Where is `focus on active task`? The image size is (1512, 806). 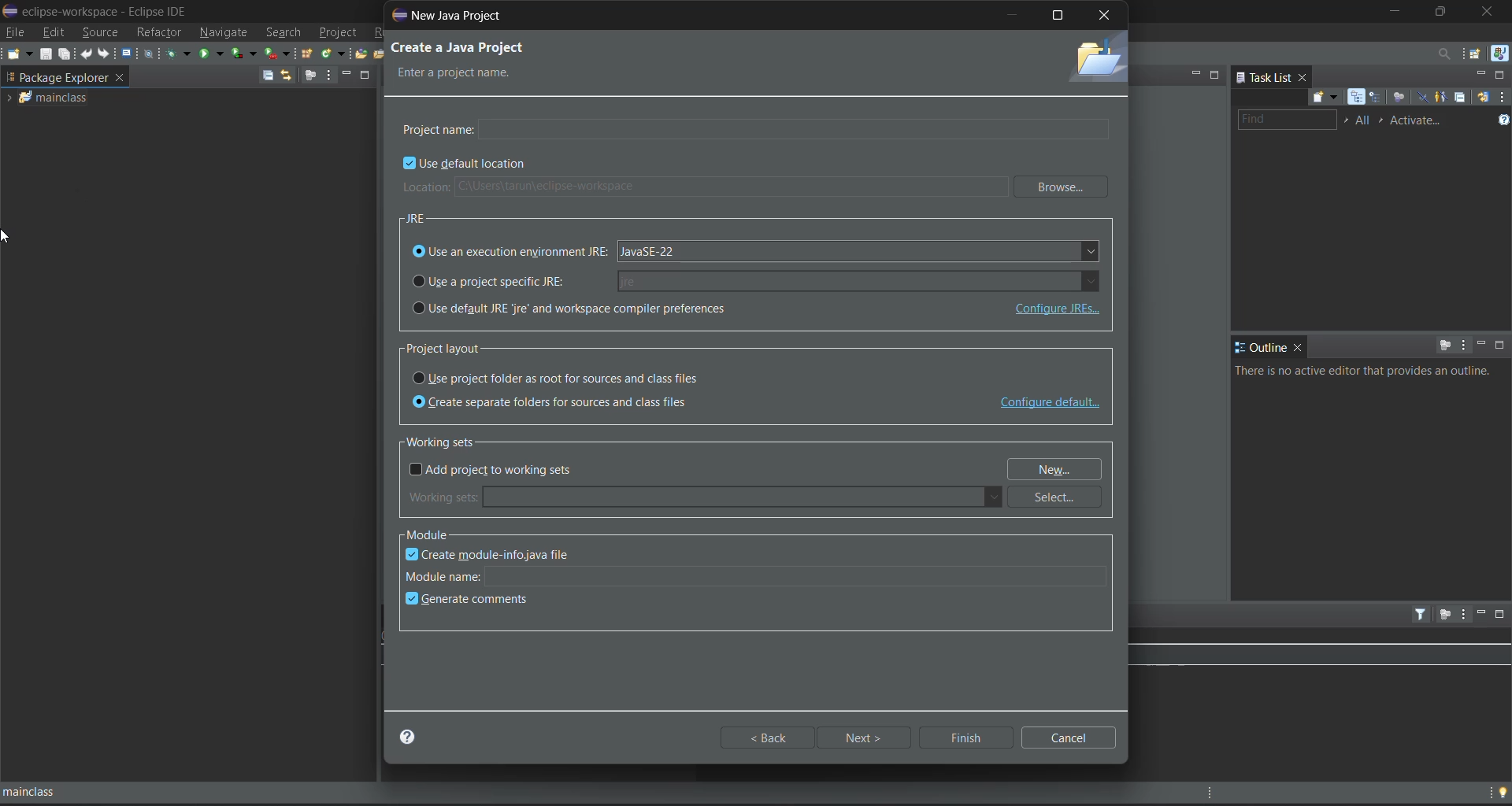
focus on active task is located at coordinates (1445, 345).